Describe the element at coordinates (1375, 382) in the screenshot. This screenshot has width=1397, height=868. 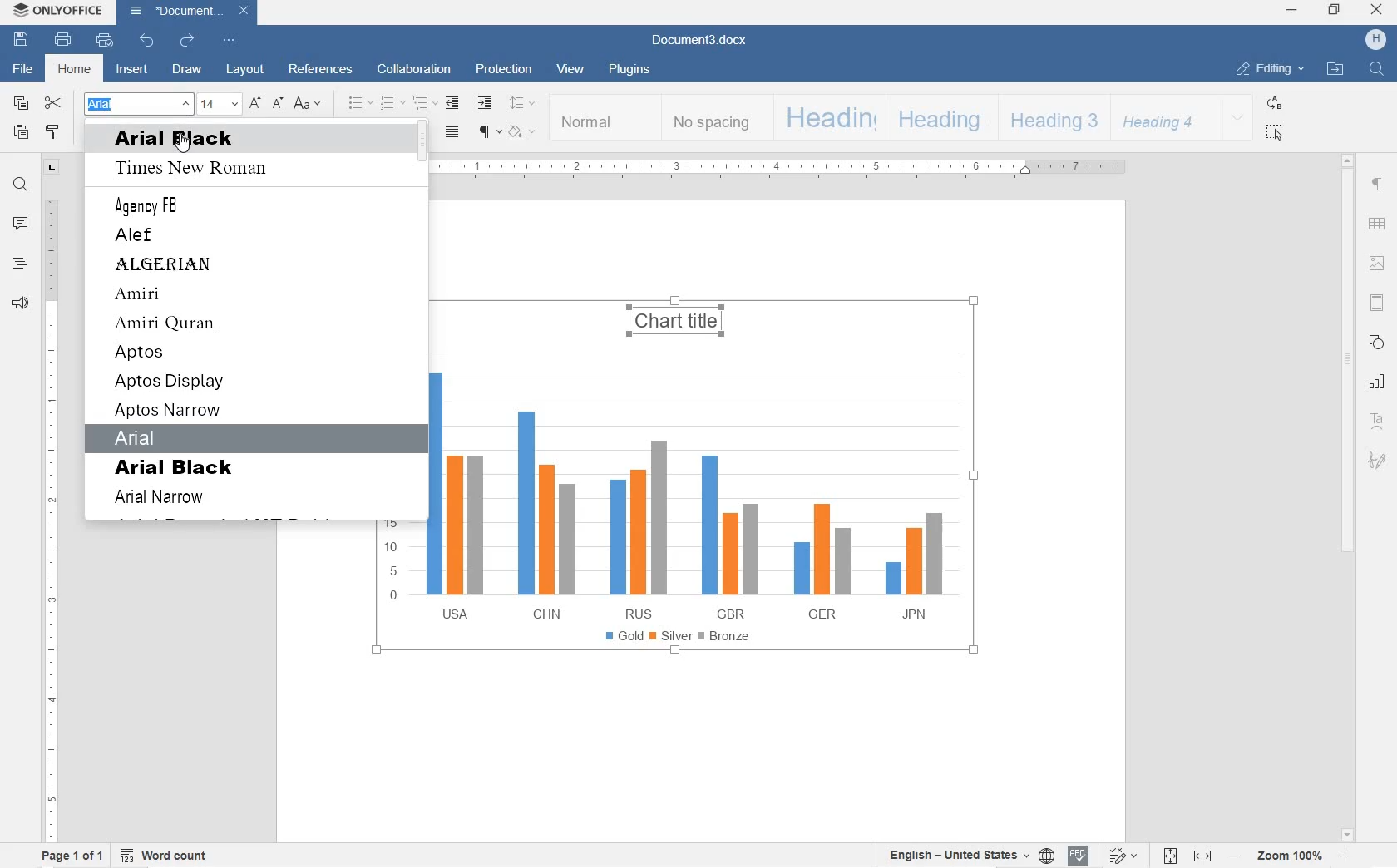
I see `CHART` at that location.